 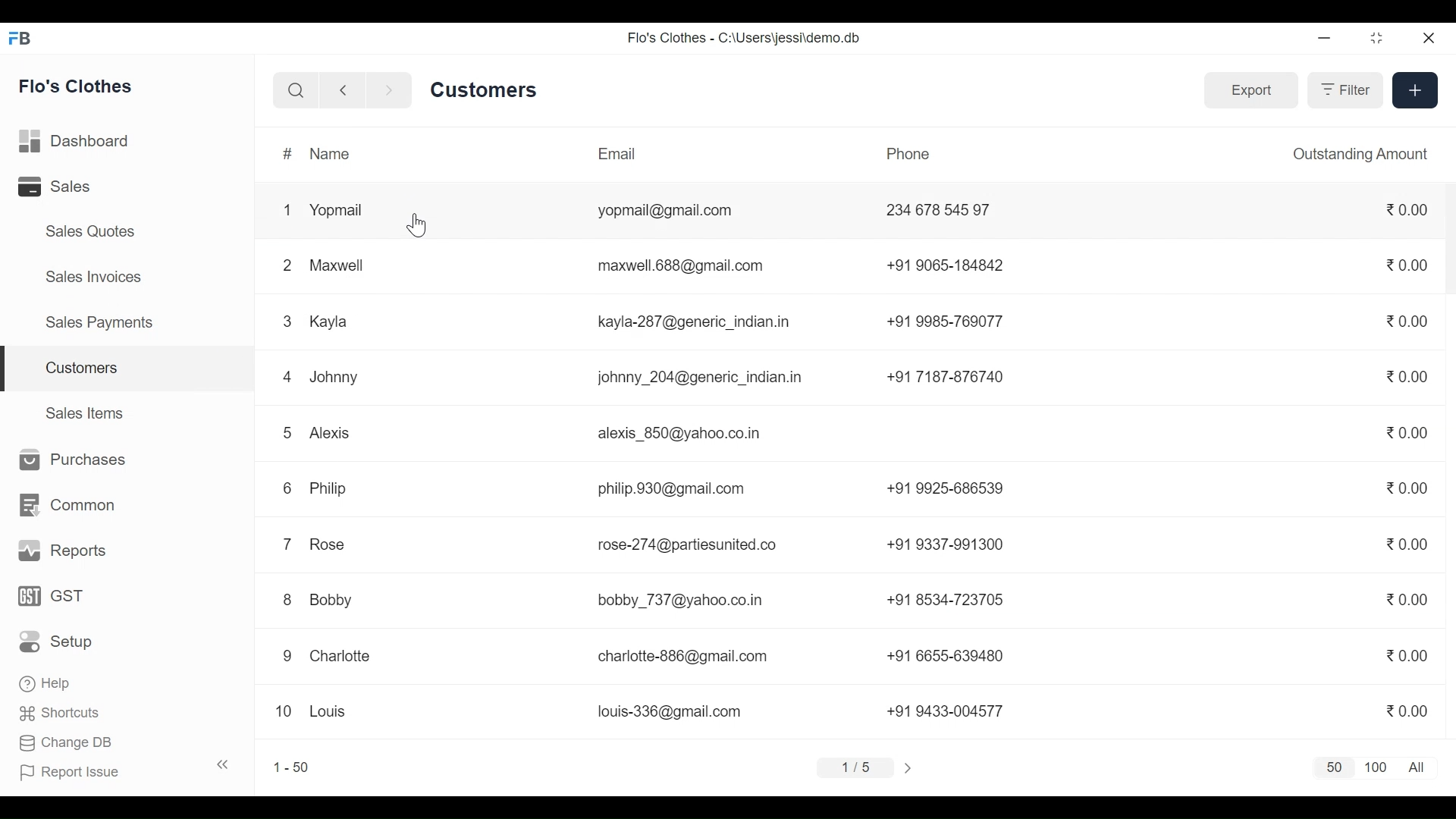 I want to click on 4, so click(x=287, y=378).